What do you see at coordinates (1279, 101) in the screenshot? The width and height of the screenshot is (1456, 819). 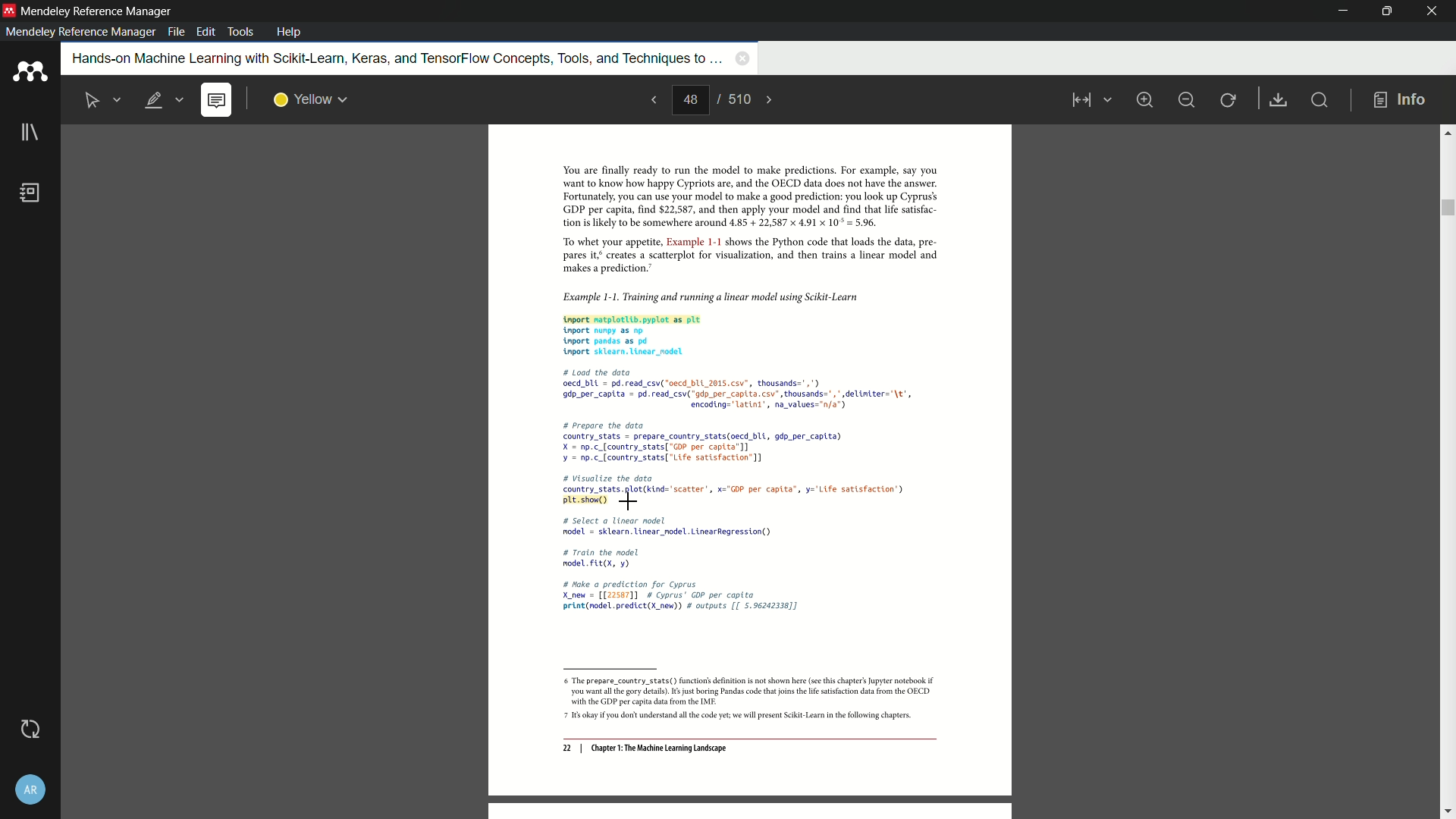 I see `save` at bounding box center [1279, 101].